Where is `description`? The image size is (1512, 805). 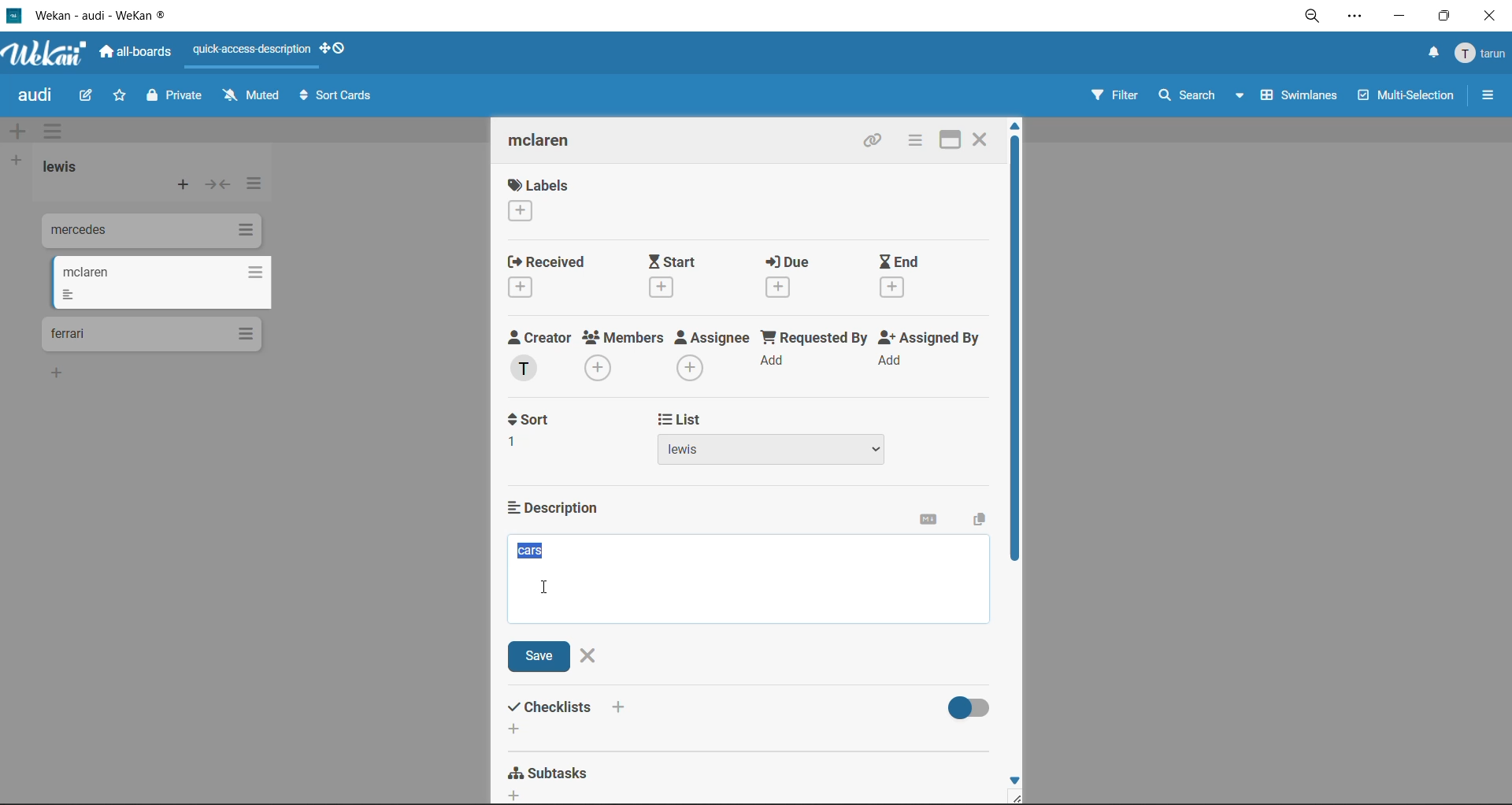
description is located at coordinates (561, 507).